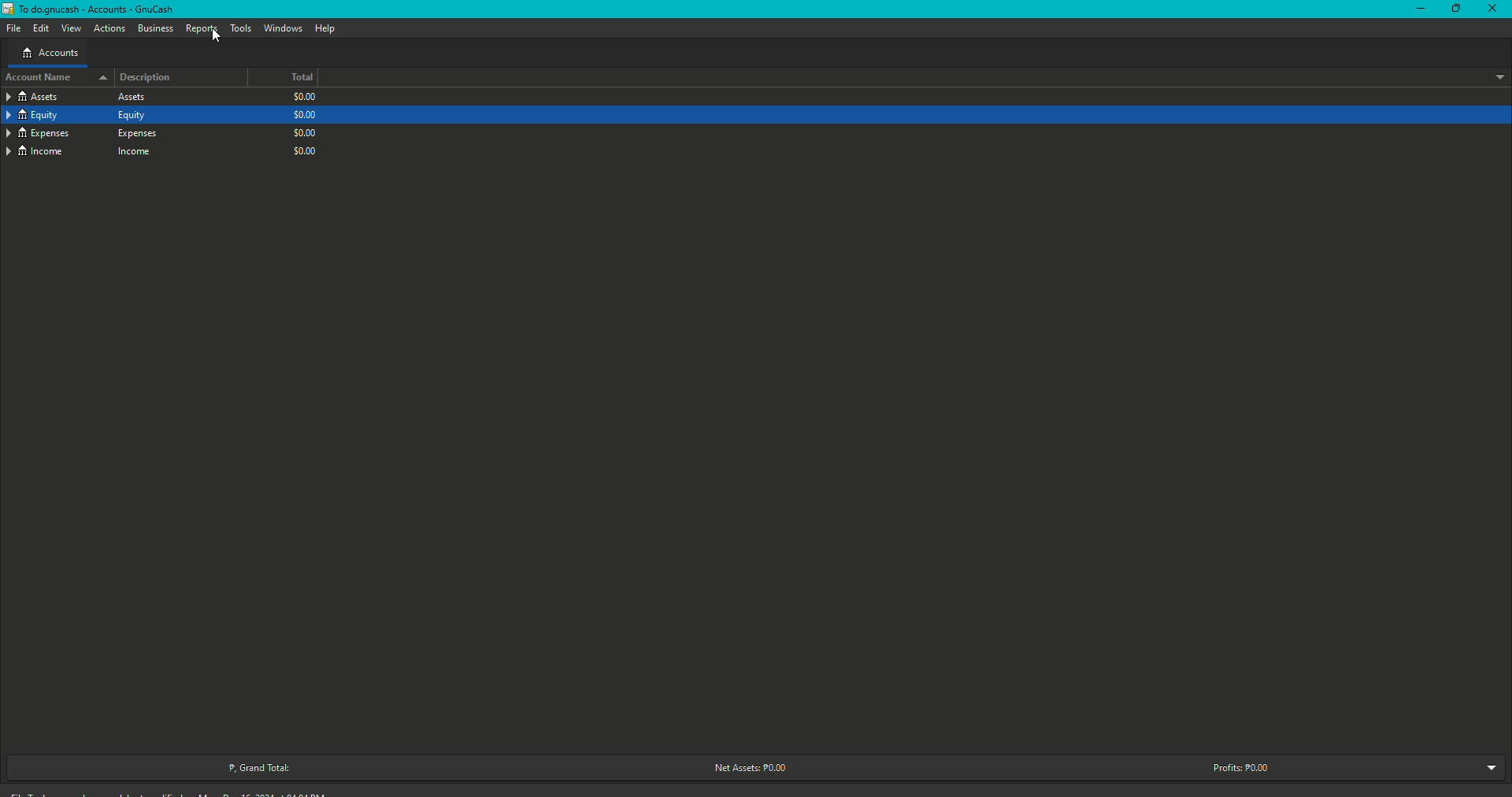 This screenshot has width=1512, height=797. I want to click on Profits, so click(1245, 768).